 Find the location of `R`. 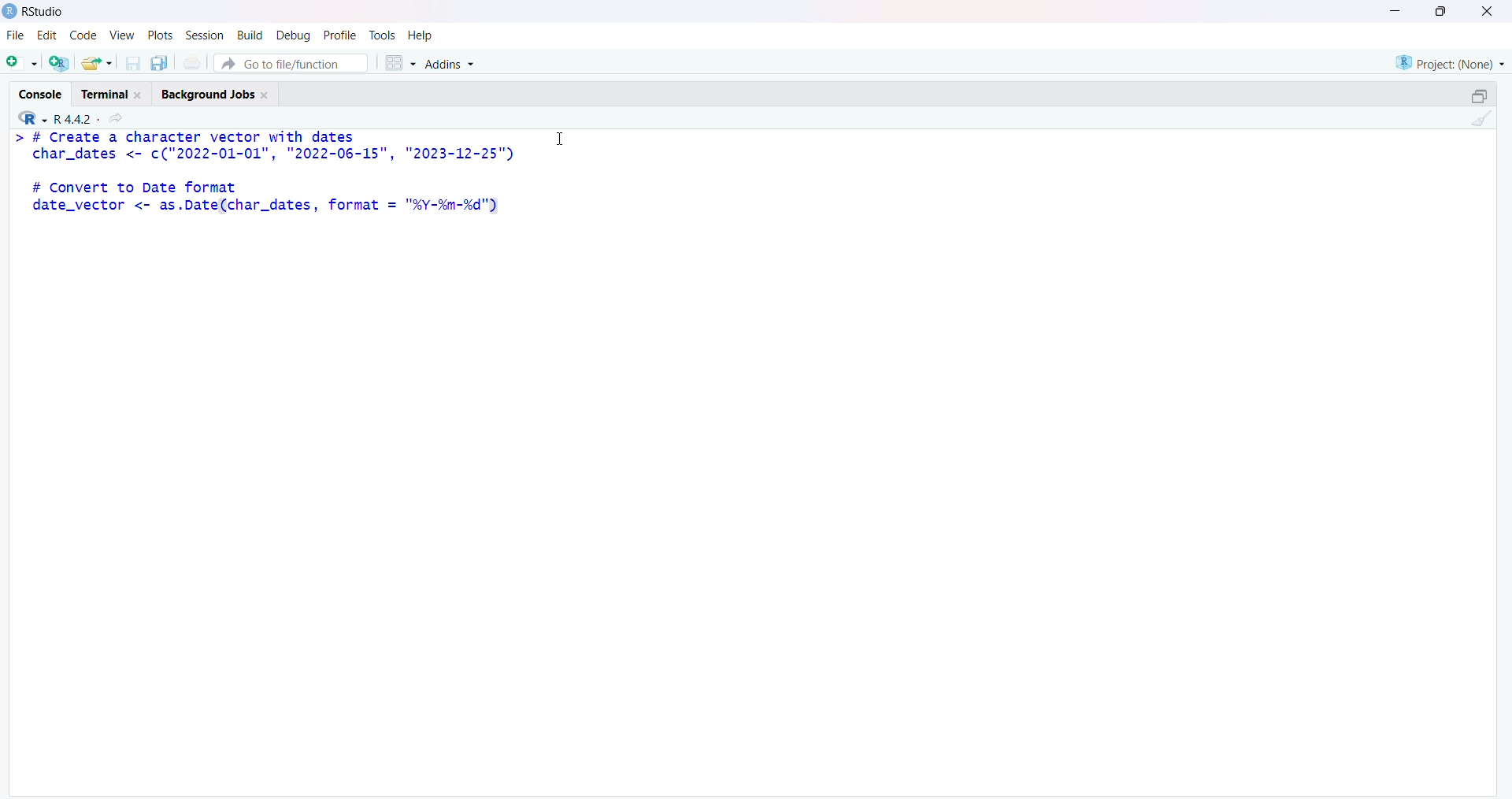

R is located at coordinates (27, 117).